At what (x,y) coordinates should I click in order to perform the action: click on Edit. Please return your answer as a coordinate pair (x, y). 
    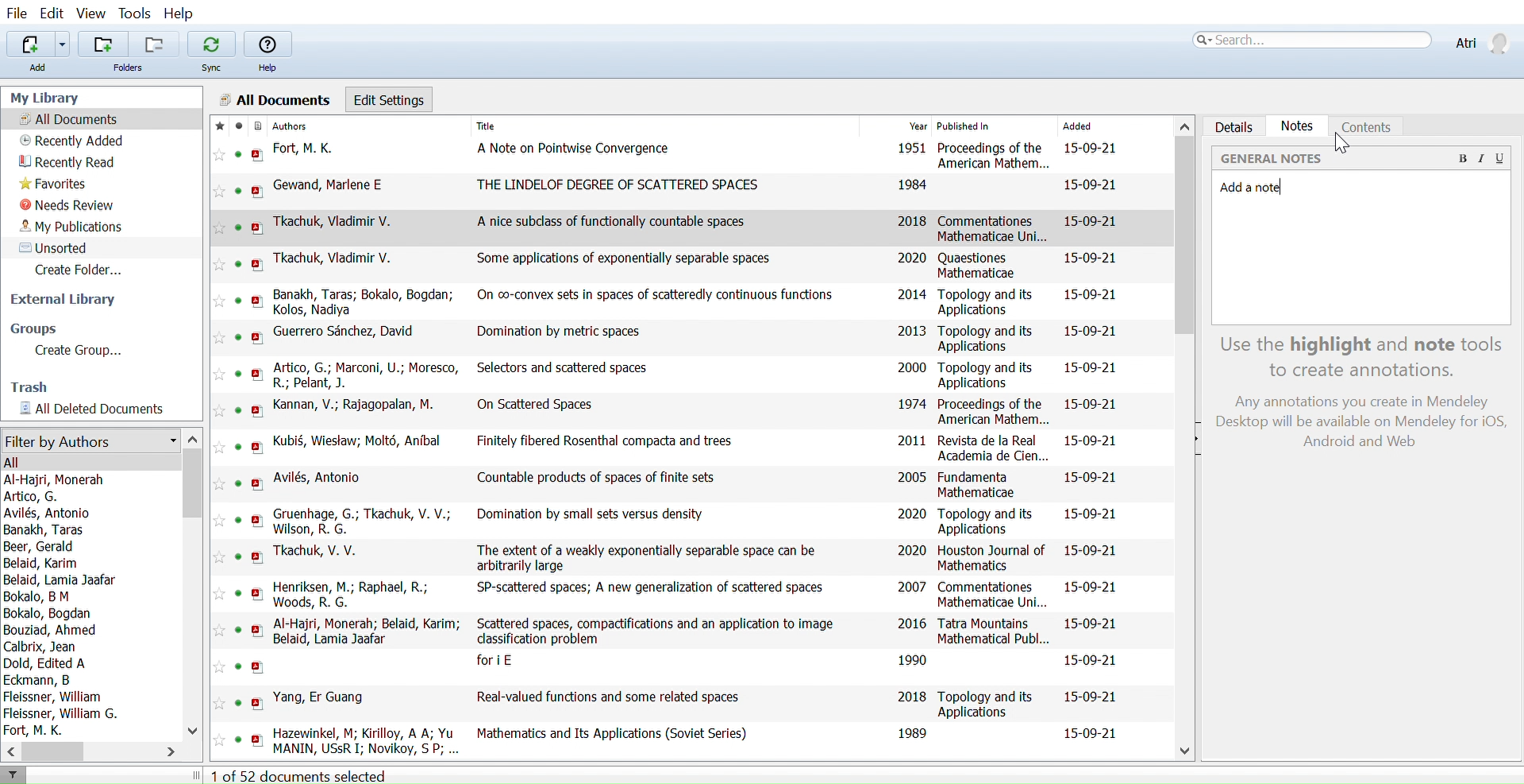
    Looking at the image, I should click on (55, 14).